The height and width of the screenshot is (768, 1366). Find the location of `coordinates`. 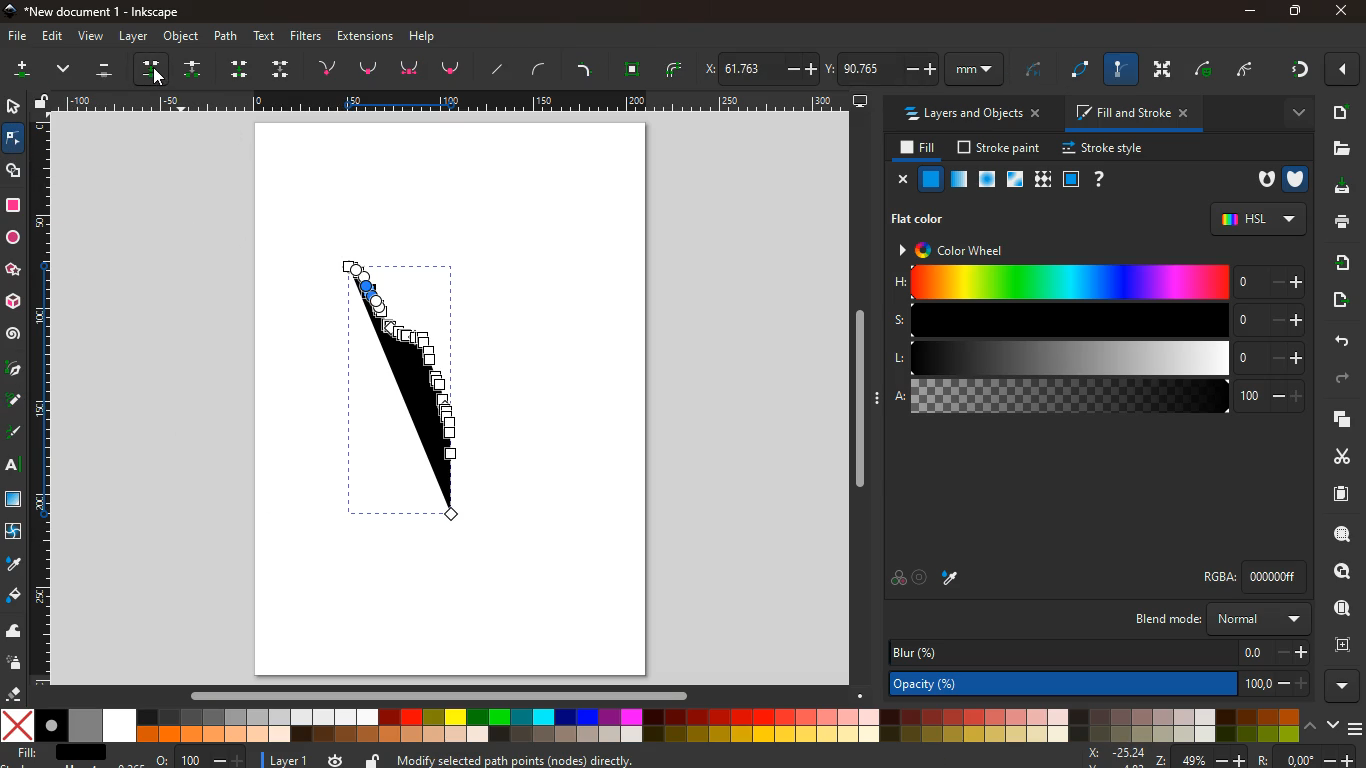

coordinates is located at coordinates (854, 66).